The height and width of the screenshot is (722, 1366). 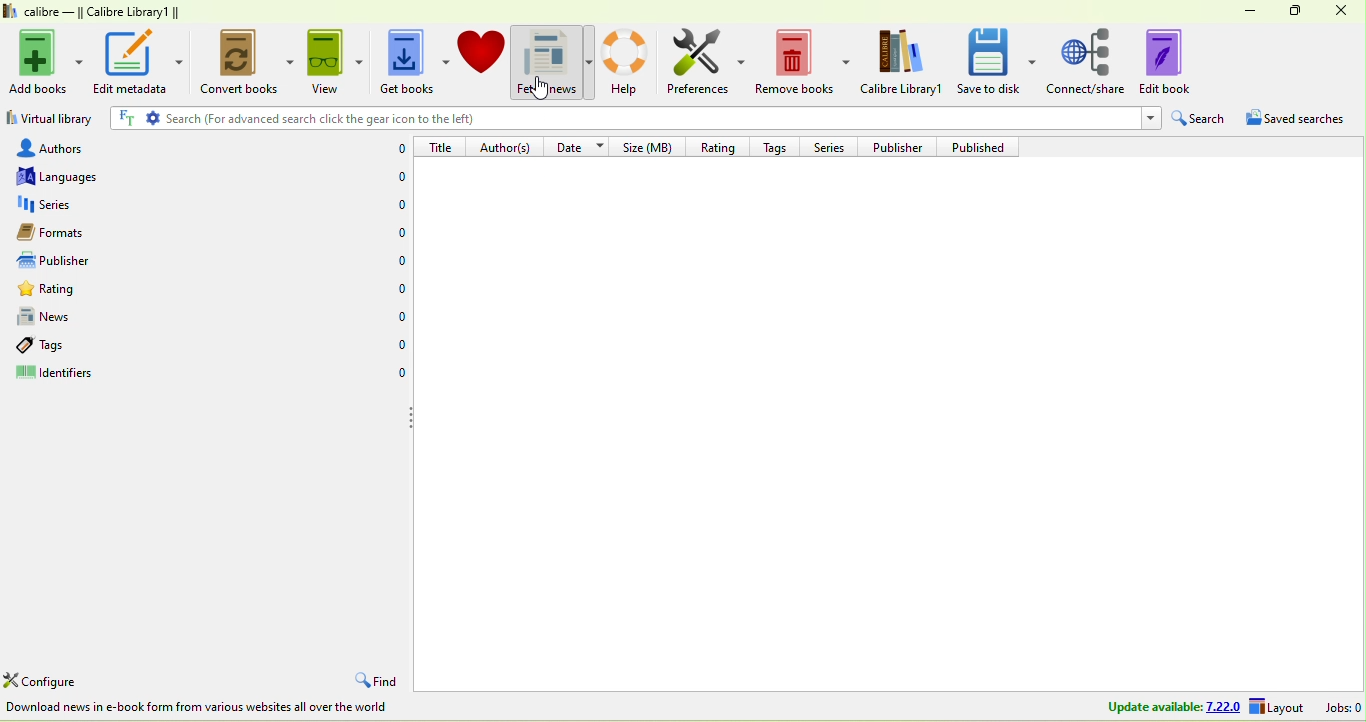 I want to click on Drop down, so click(x=1149, y=118).